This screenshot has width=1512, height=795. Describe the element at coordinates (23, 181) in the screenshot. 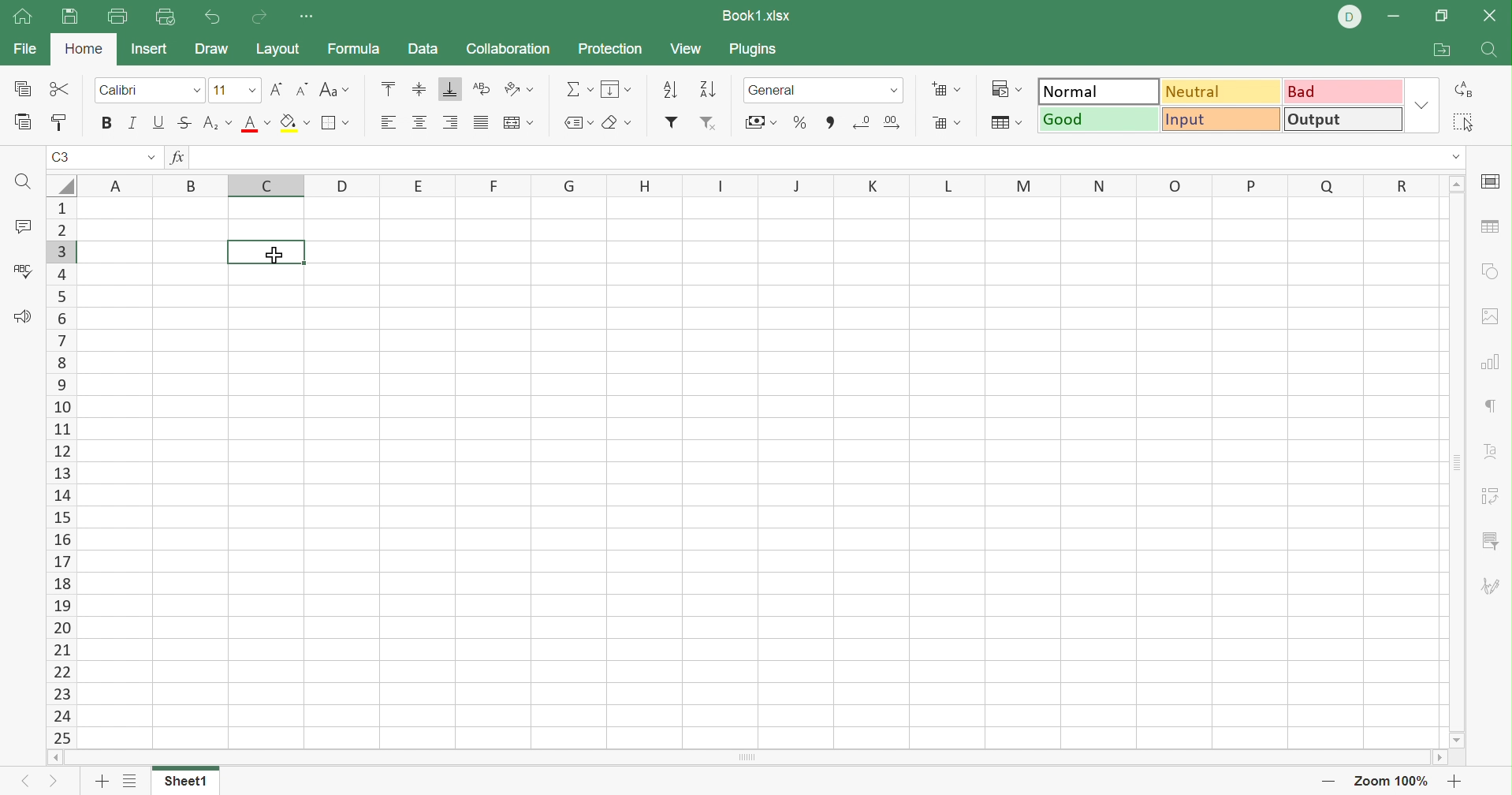

I see `Find` at that location.